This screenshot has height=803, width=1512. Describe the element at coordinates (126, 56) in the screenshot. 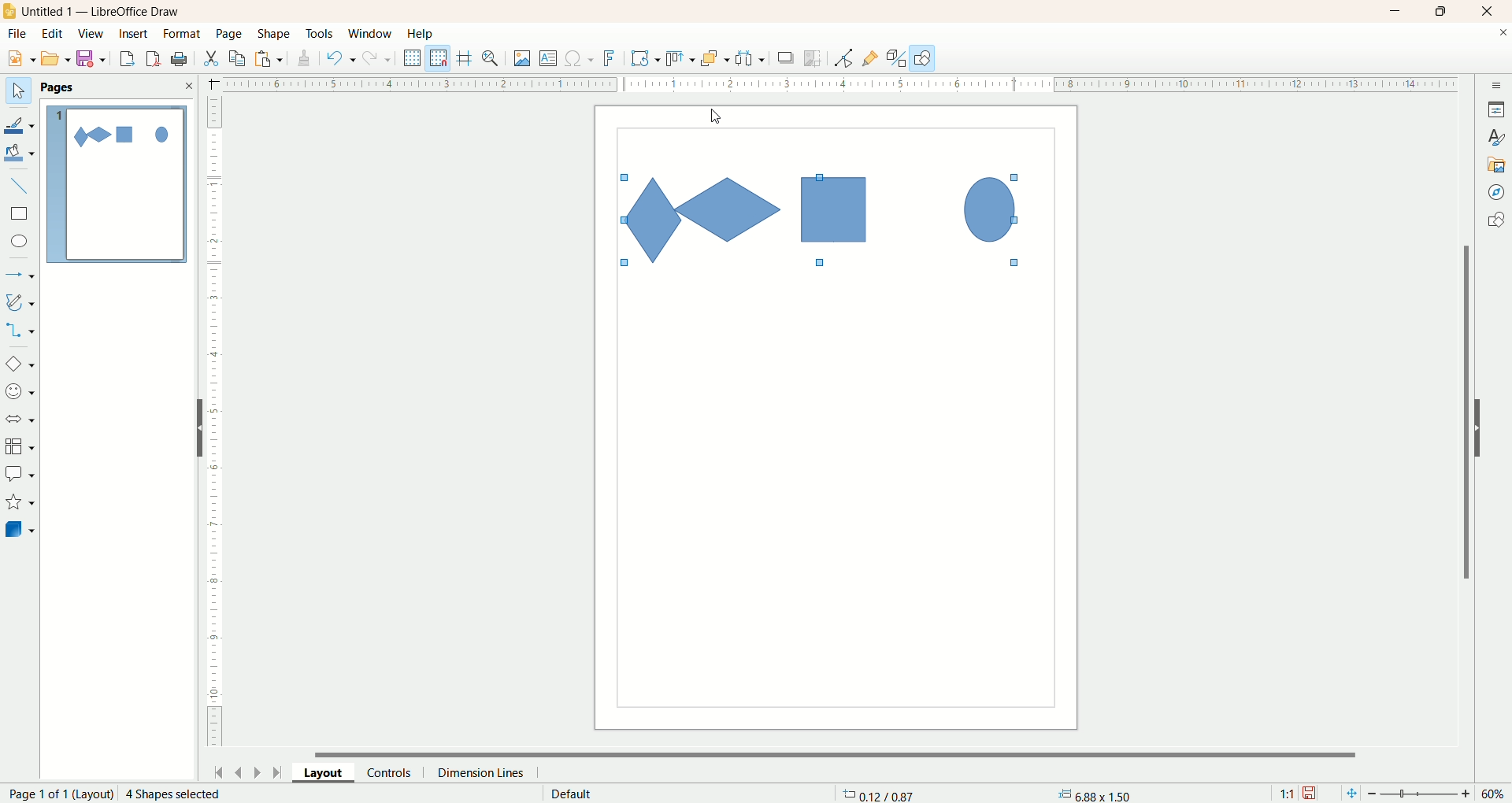

I see `export` at that location.